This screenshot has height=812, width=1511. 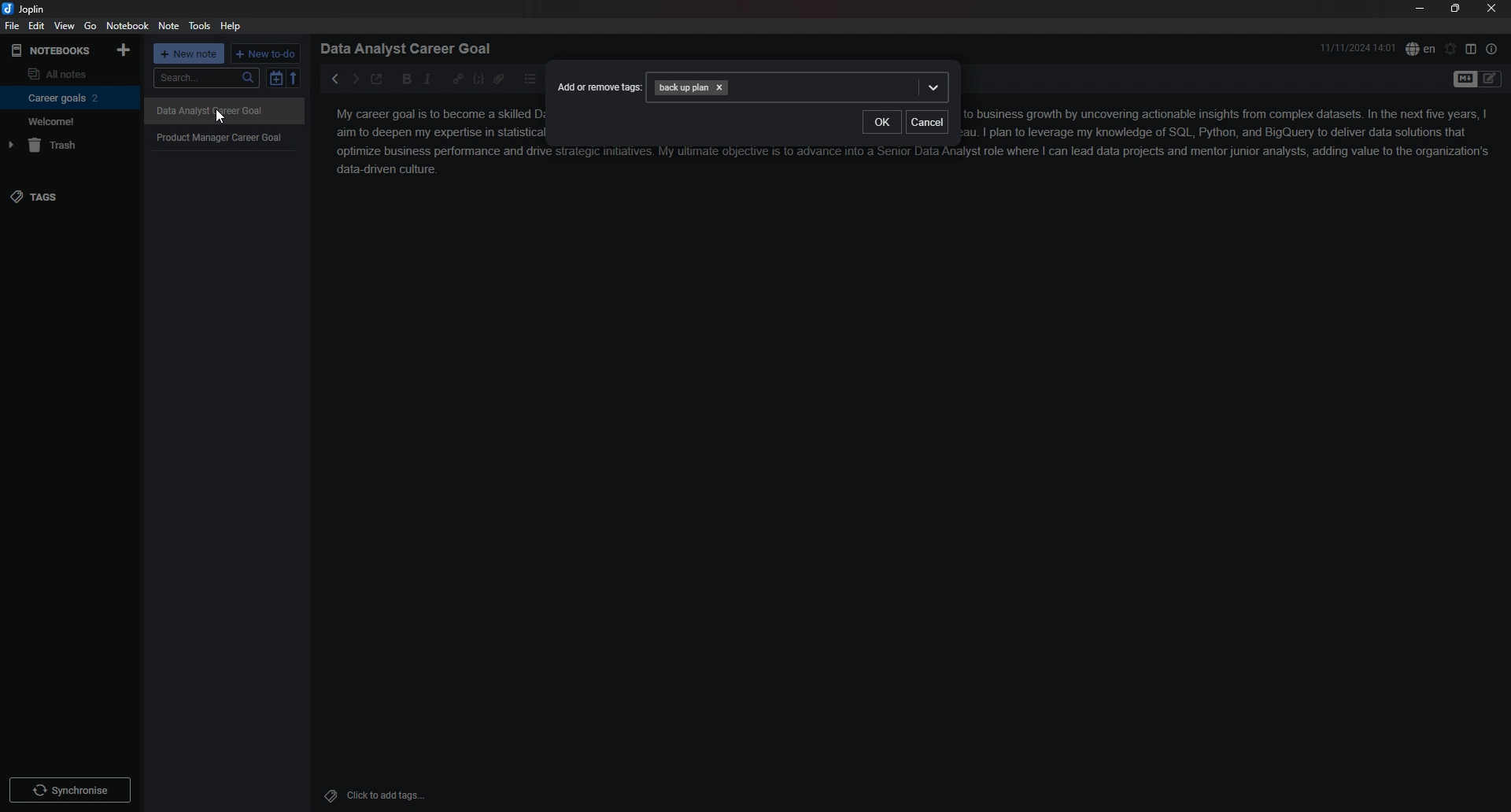 What do you see at coordinates (264, 54) in the screenshot?
I see `+ new to do` at bounding box center [264, 54].